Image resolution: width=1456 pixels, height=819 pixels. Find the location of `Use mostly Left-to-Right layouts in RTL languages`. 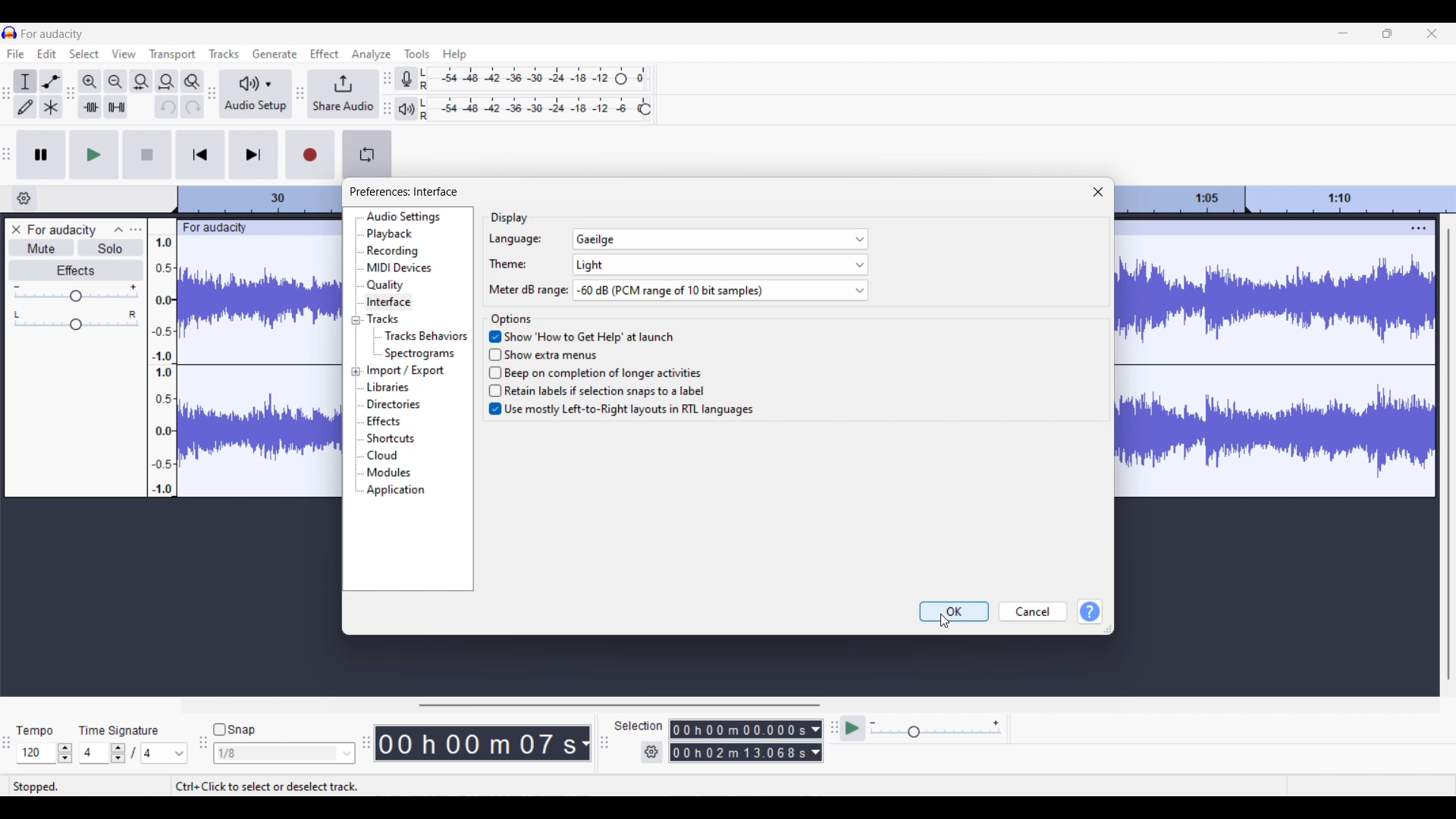

Use mostly Left-to-Right layouts in RTL languages is located at coordinates (620, 412).